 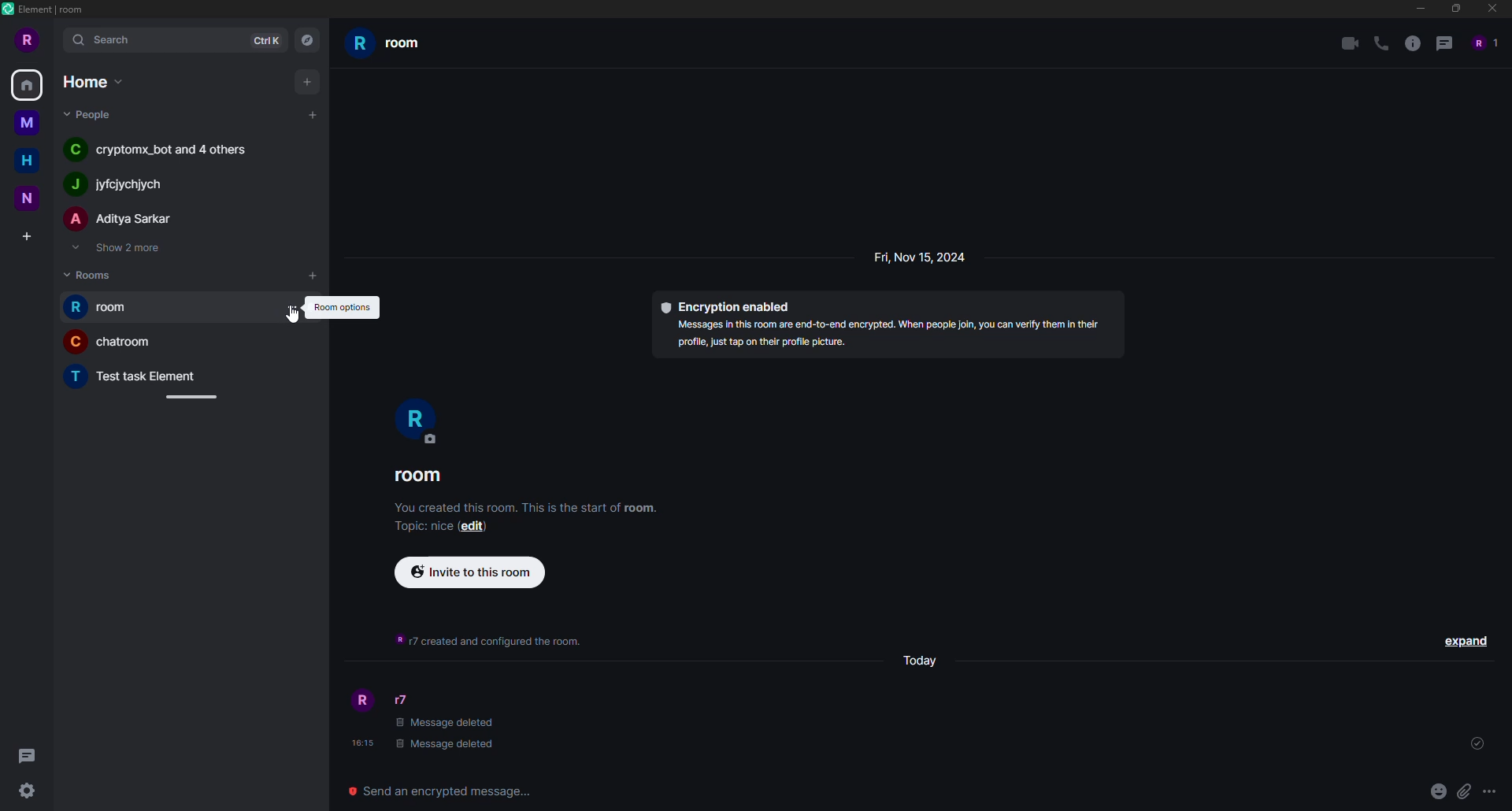 What do you see at coordinates (728, 306) in the screenshot?
I see `encryption enabled` at bounding box center [728, 306].